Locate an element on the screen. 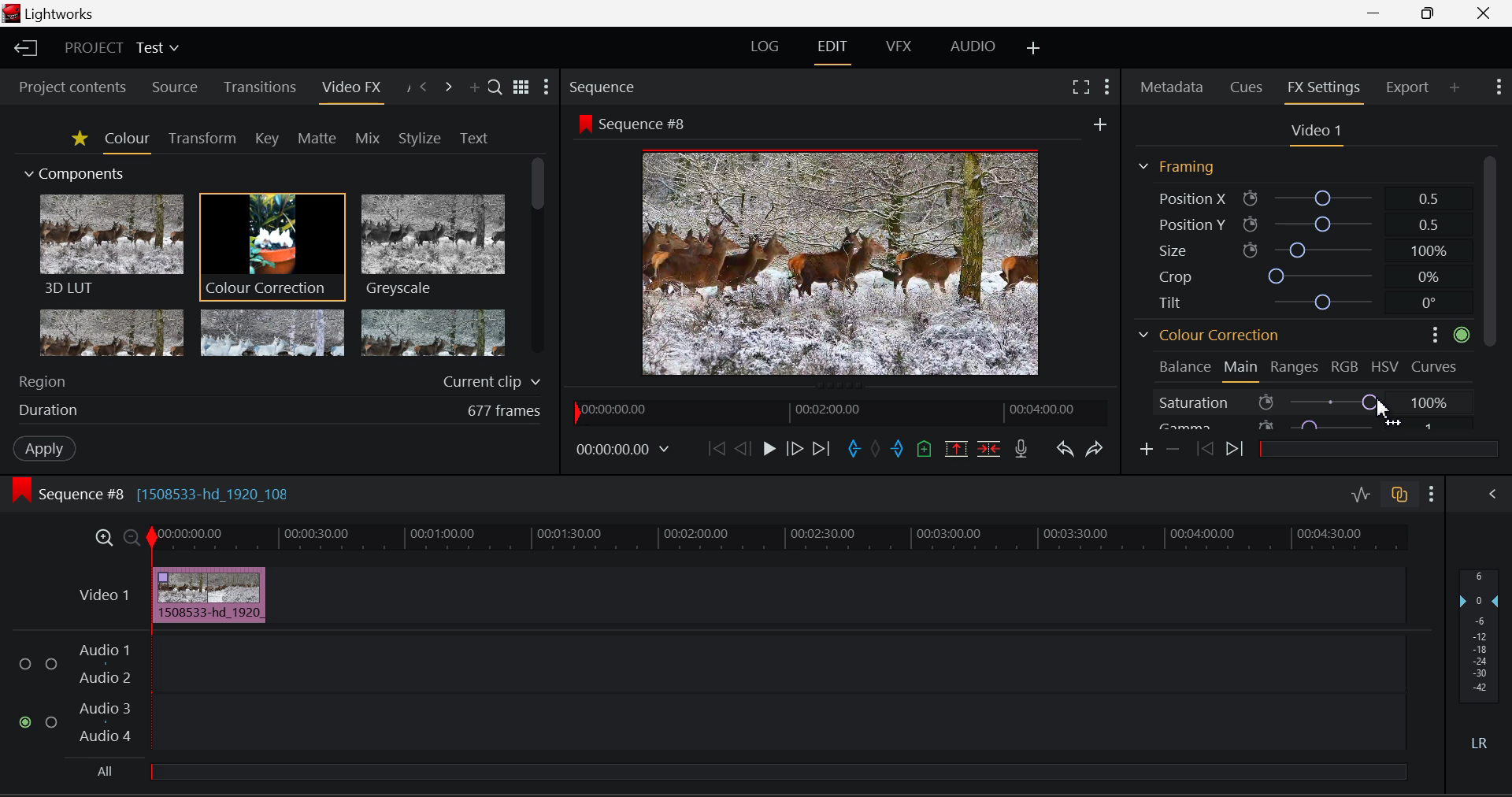 This screenshot has height=797, width=1512. Video FX Open is located at coordinates (353, 91).